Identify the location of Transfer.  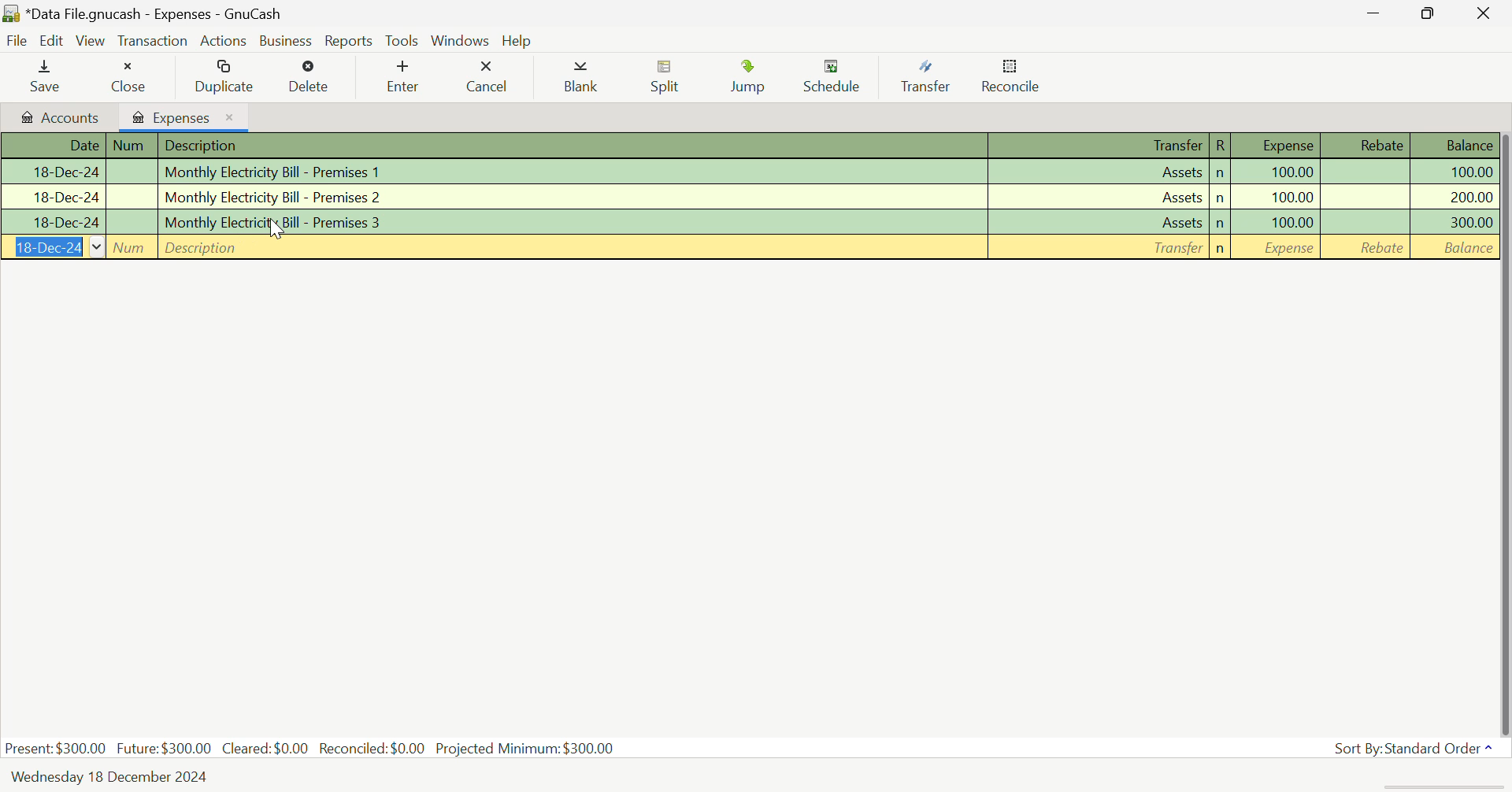
(925, 77).